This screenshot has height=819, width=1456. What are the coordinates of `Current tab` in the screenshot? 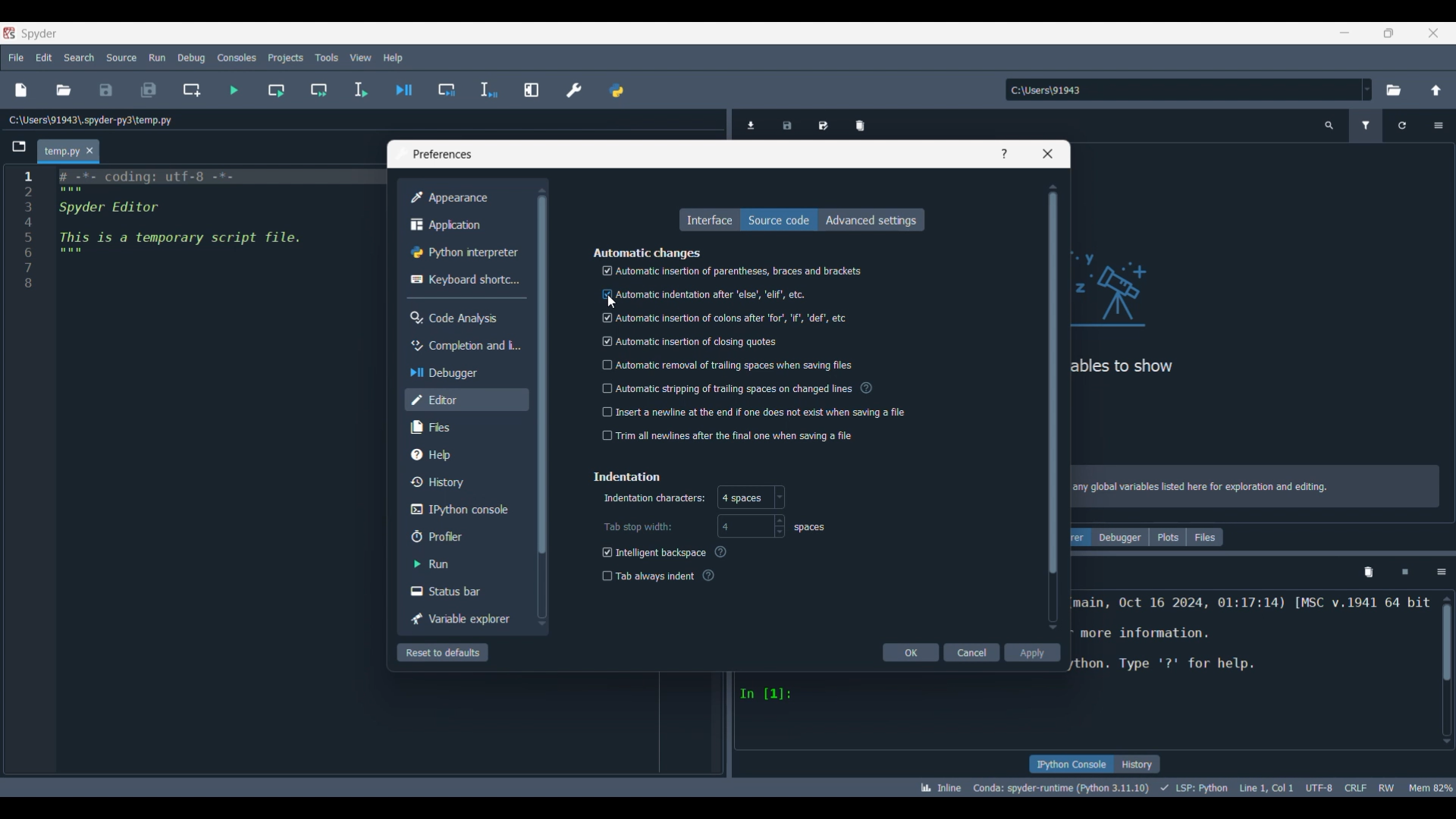 It's located at (61, 152).